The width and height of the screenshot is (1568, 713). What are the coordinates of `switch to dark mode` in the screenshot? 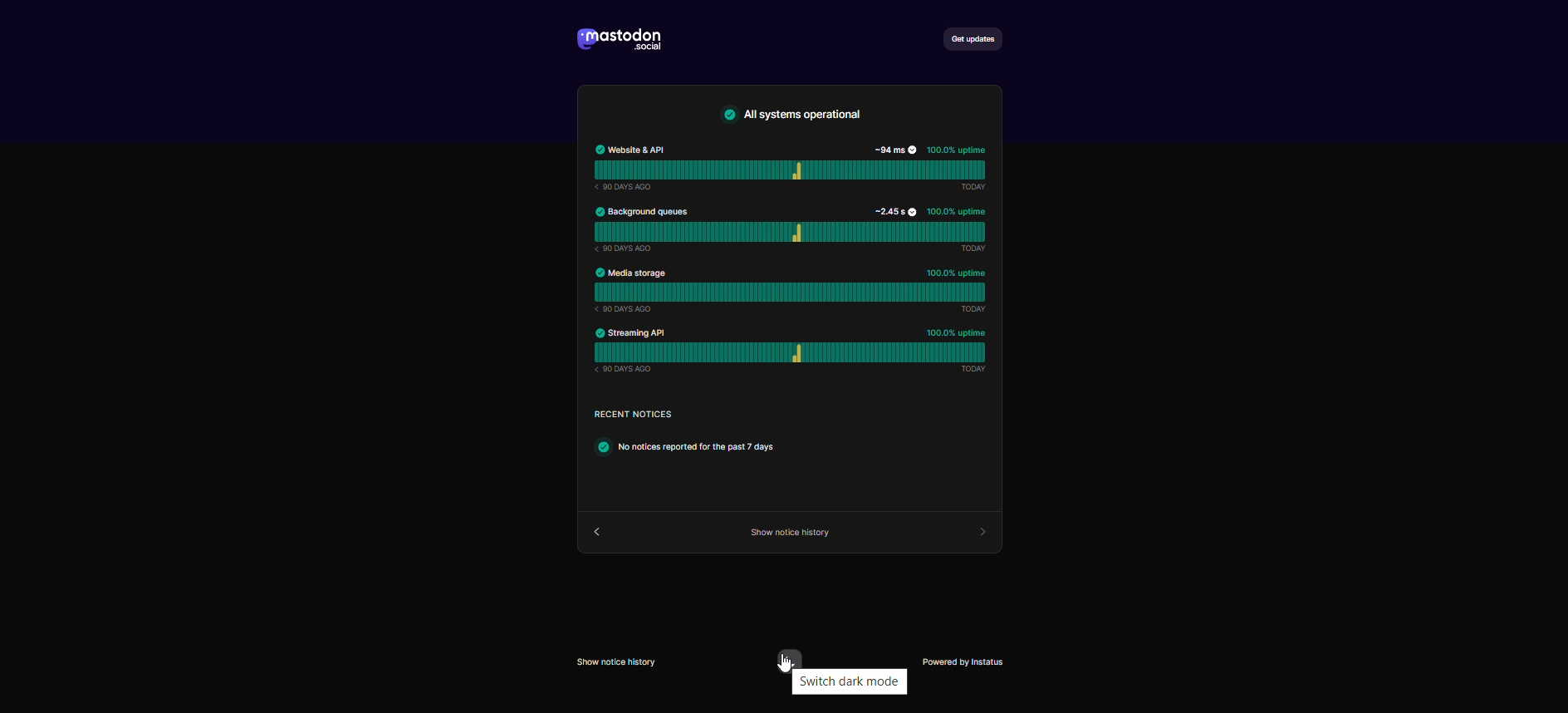 It's located at (853, 682).